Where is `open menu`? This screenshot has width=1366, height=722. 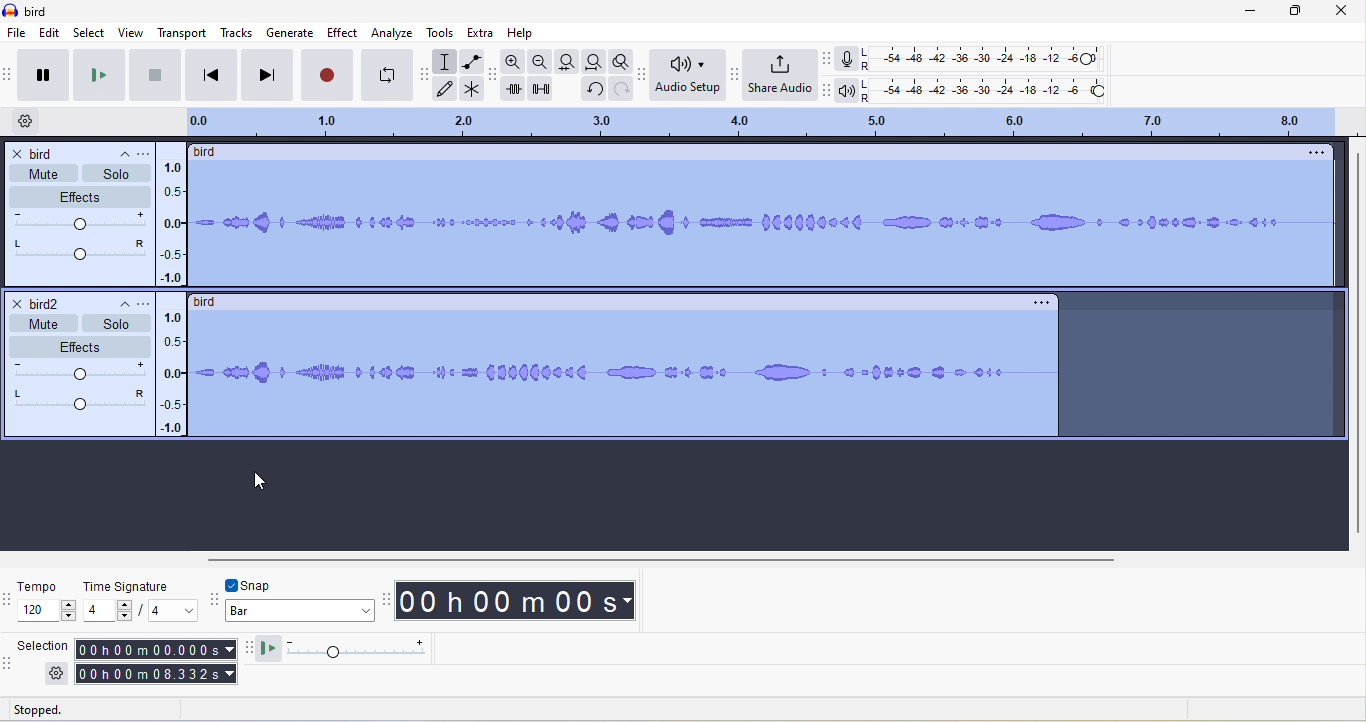 open menu is located at coordinates (1324, 153).